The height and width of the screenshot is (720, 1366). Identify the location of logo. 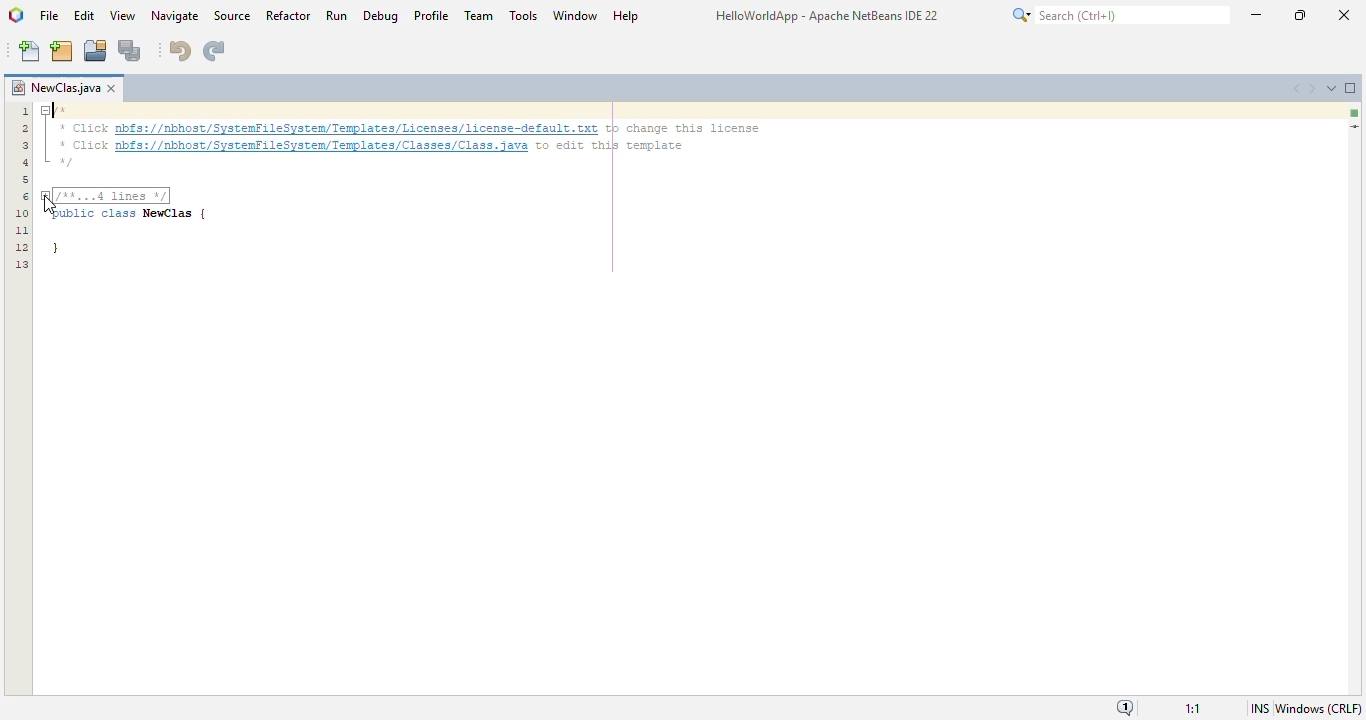
(16, 15).